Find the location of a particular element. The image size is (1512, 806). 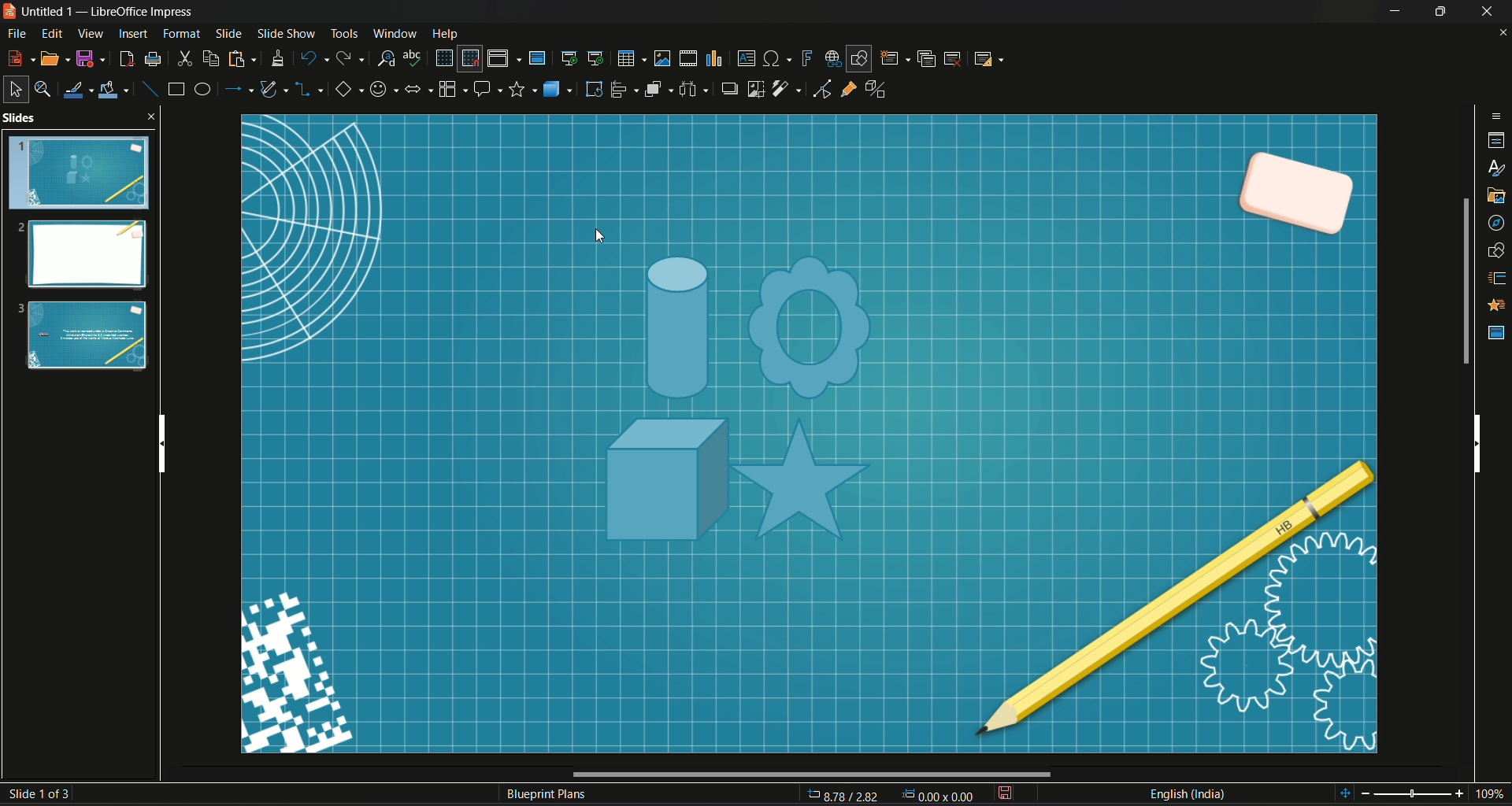

callout share is located at coordinates (487, 88).